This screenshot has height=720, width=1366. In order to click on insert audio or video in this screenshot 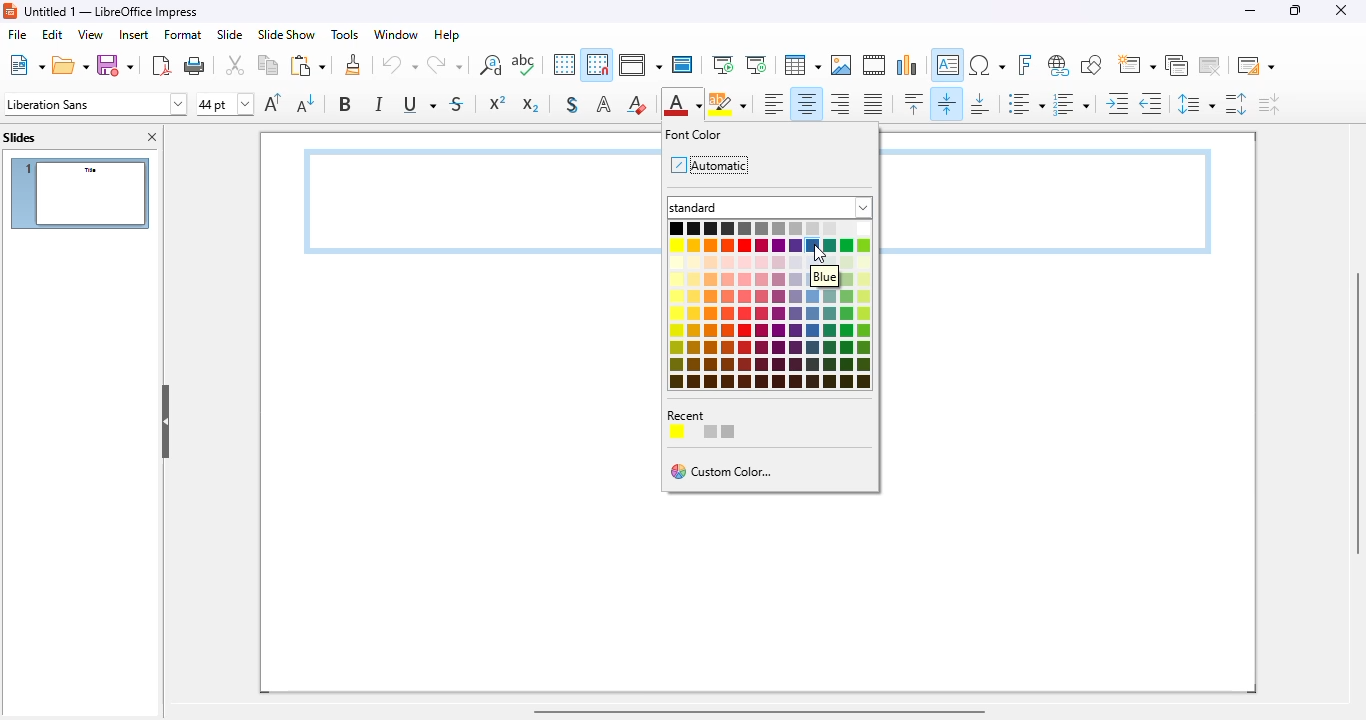, I will do `click(874, 65)`.